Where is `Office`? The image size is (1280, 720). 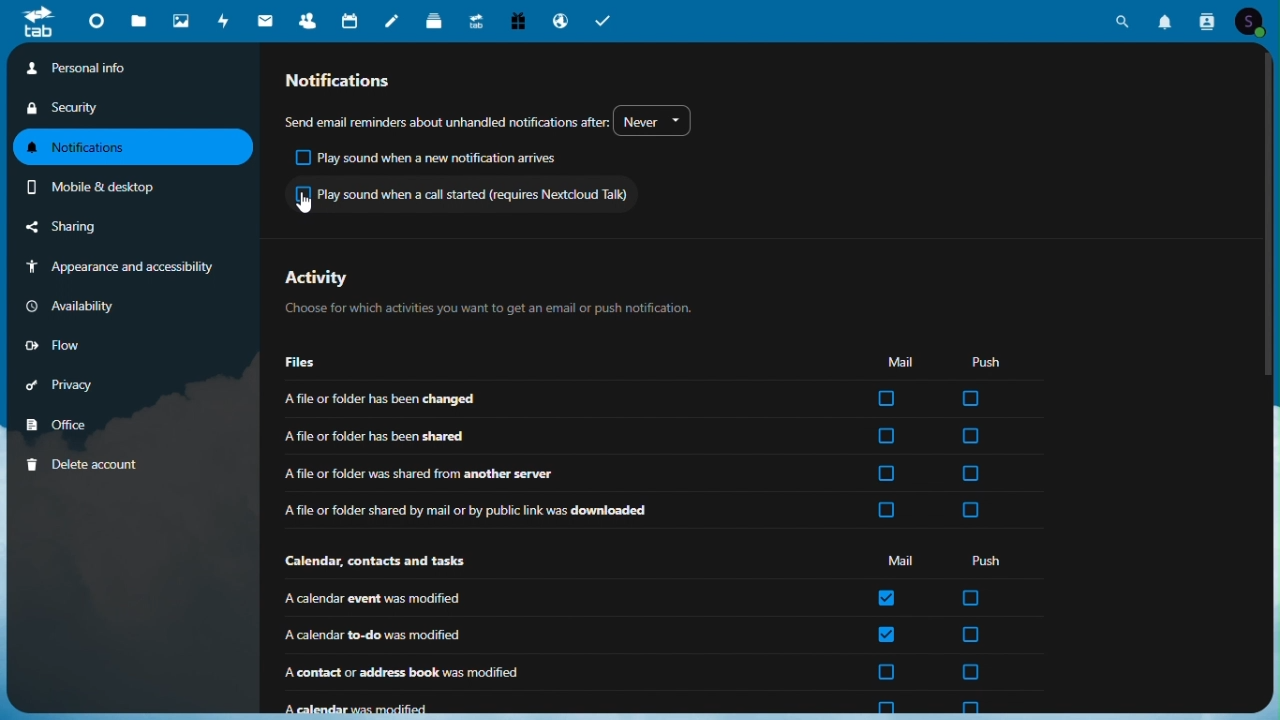
Office is located at coordinates (64, 422).